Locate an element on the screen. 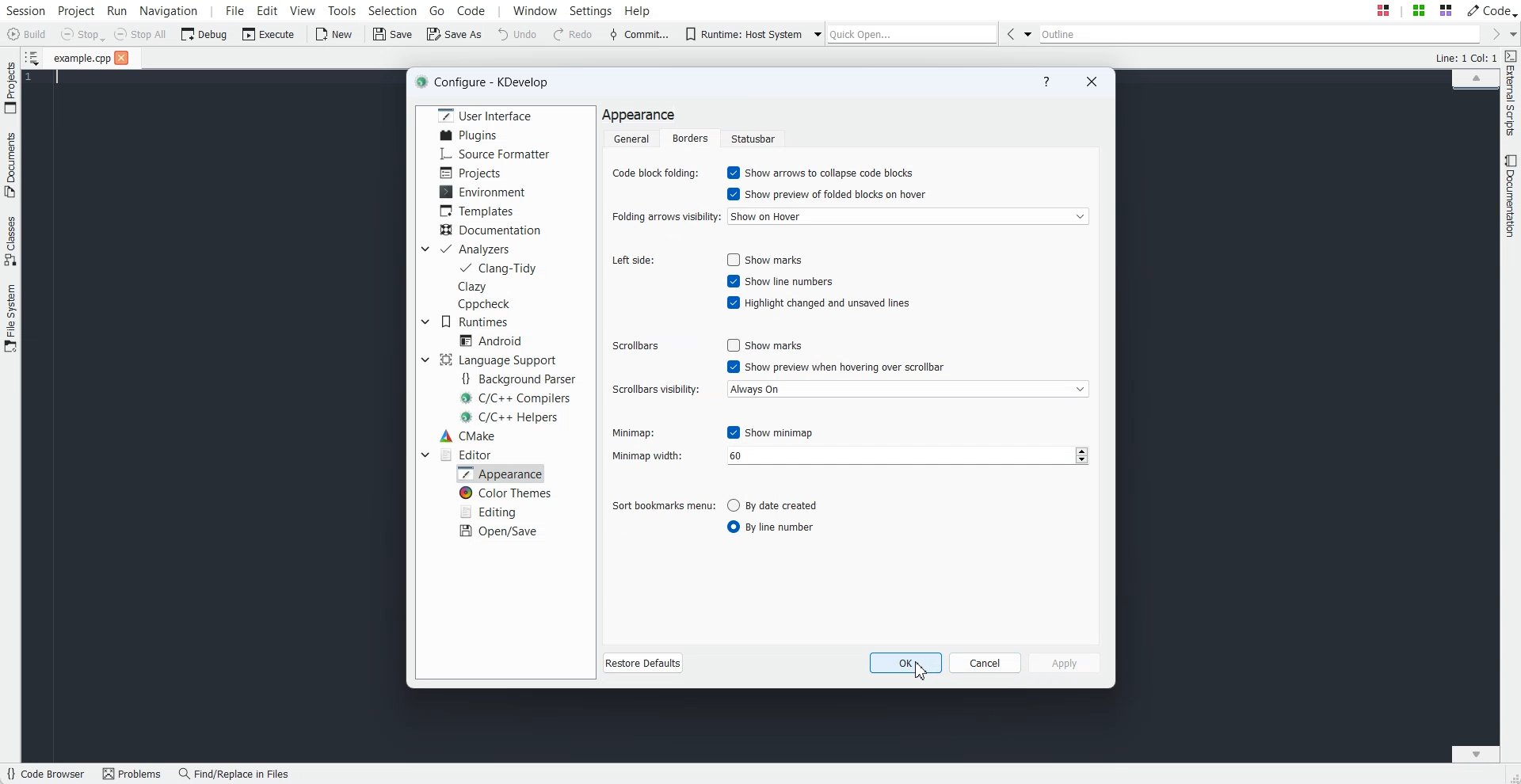 Image resolution: width=1521 pixels, height=784 pixels. Text is located at coordinates (639, 116).